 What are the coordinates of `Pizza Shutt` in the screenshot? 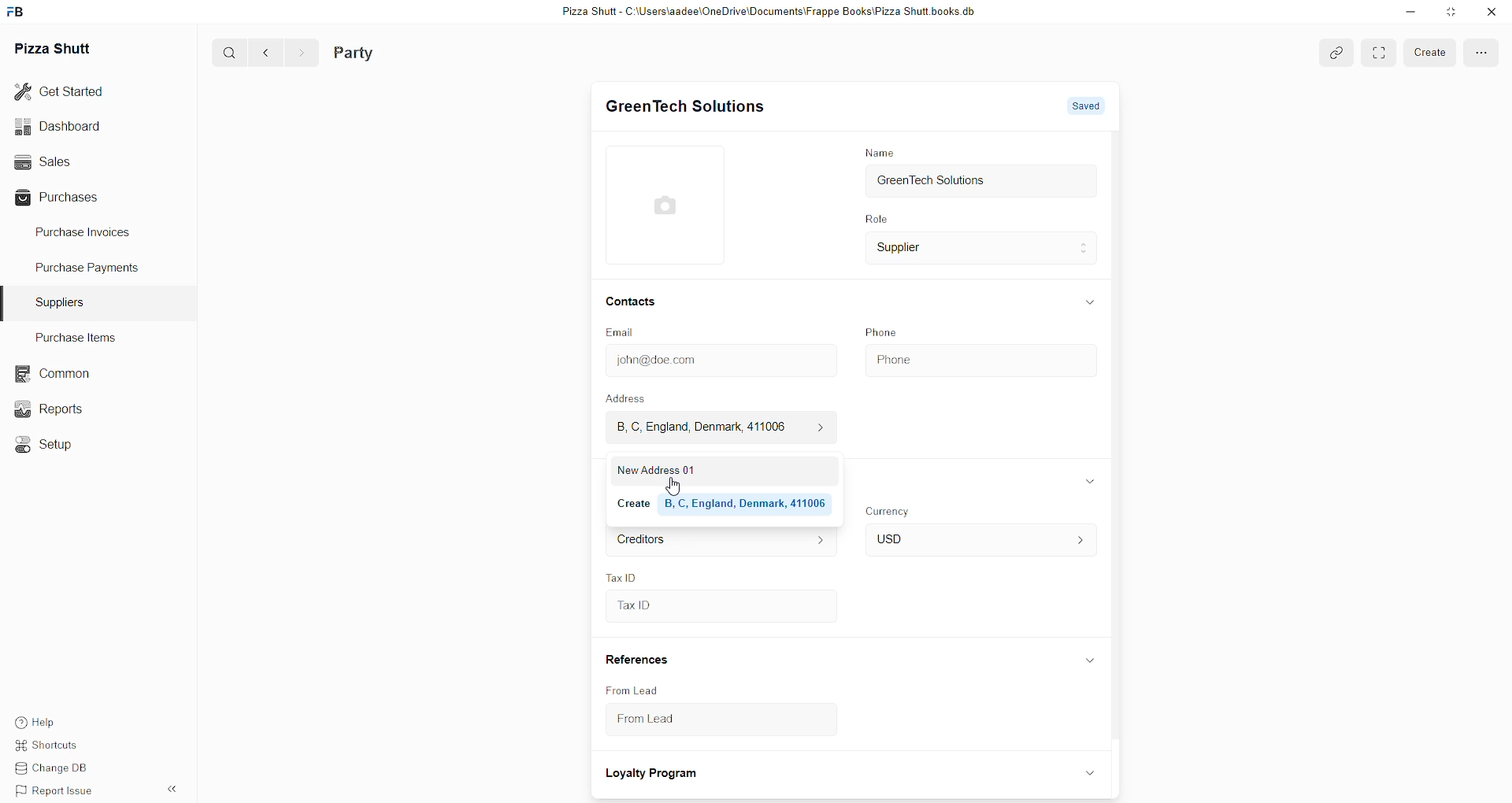 It's located at (58, 49).